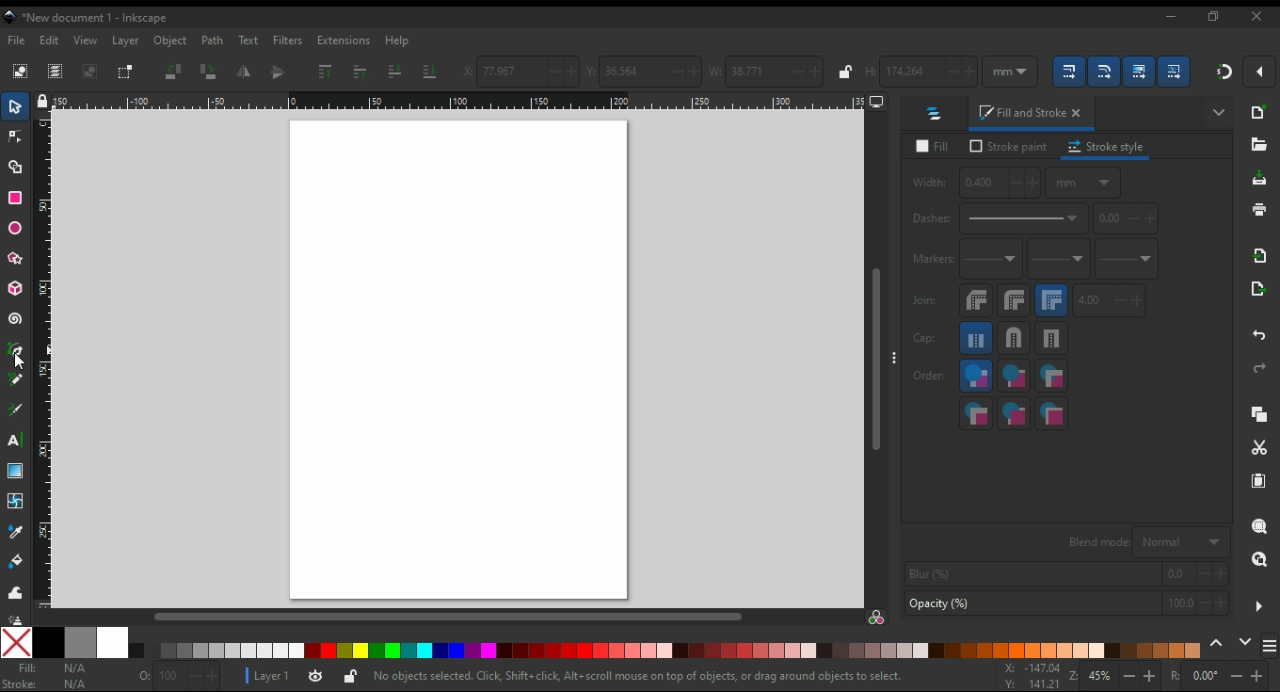  What do you see at coordinates (645, 71) in the screenshot?
I see `vertical coordinate of selection` at bounding box center [645, 71].